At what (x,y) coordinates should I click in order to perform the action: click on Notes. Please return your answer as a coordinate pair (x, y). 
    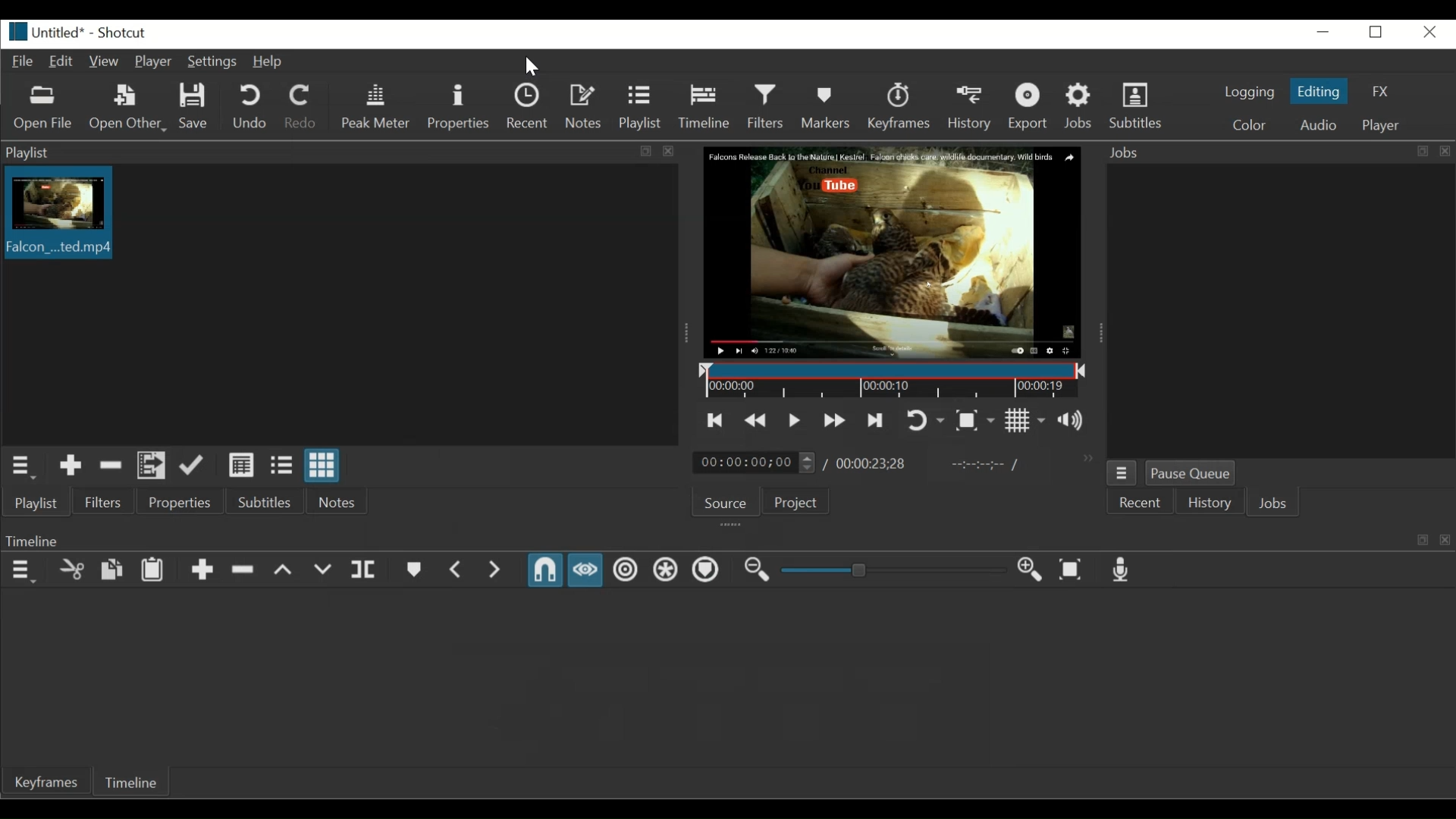
    Looking at the image, I should click on (335, 502).